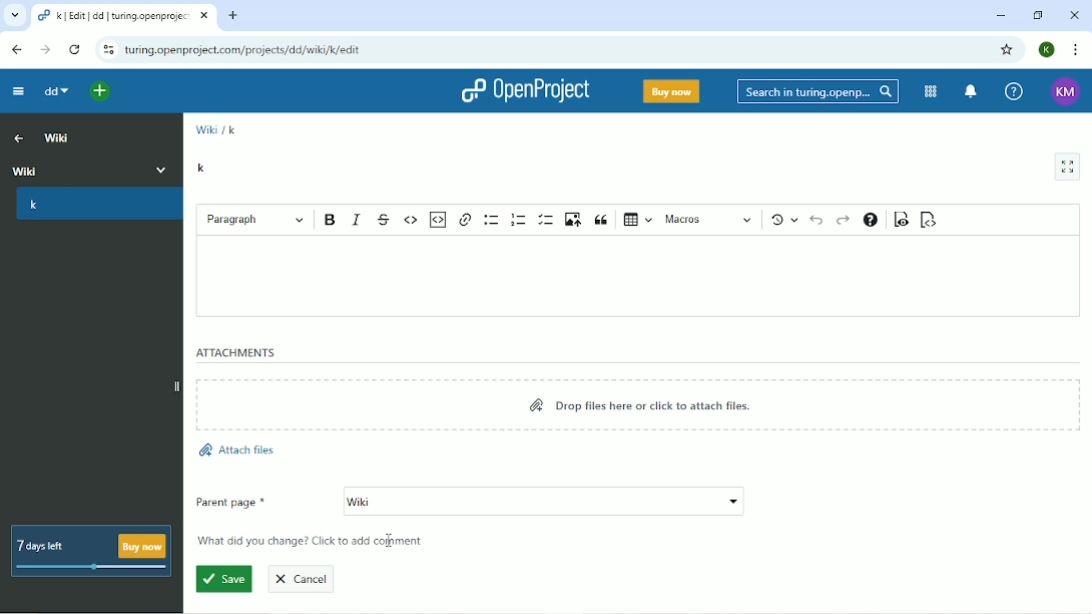  Describe the element at coordinates (931, 92) in the screenshot. I see `Modules` at that location.